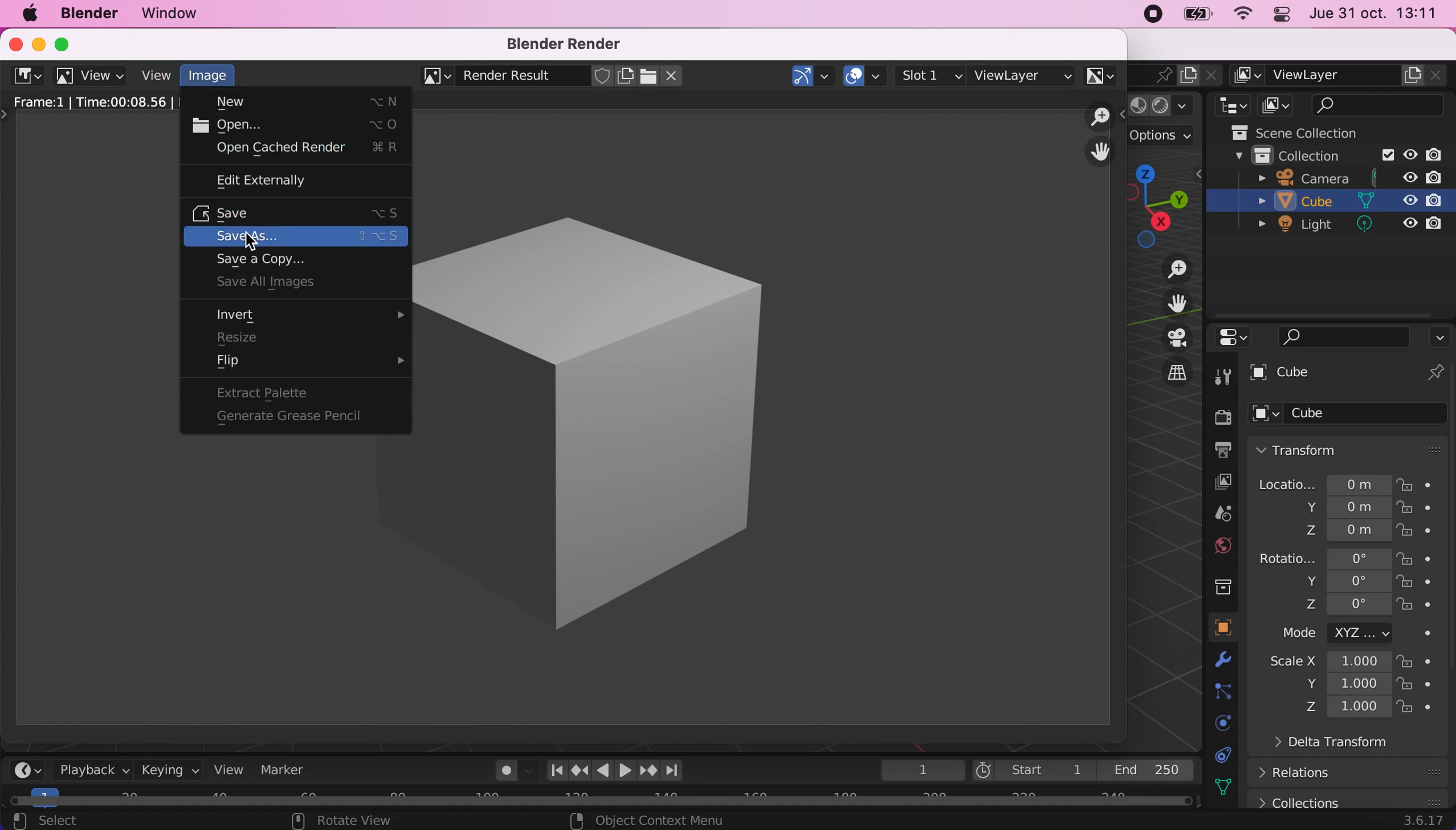 The height and width of the screenshot is (830, 1456). I want to click on lock, so click(1421, 483).